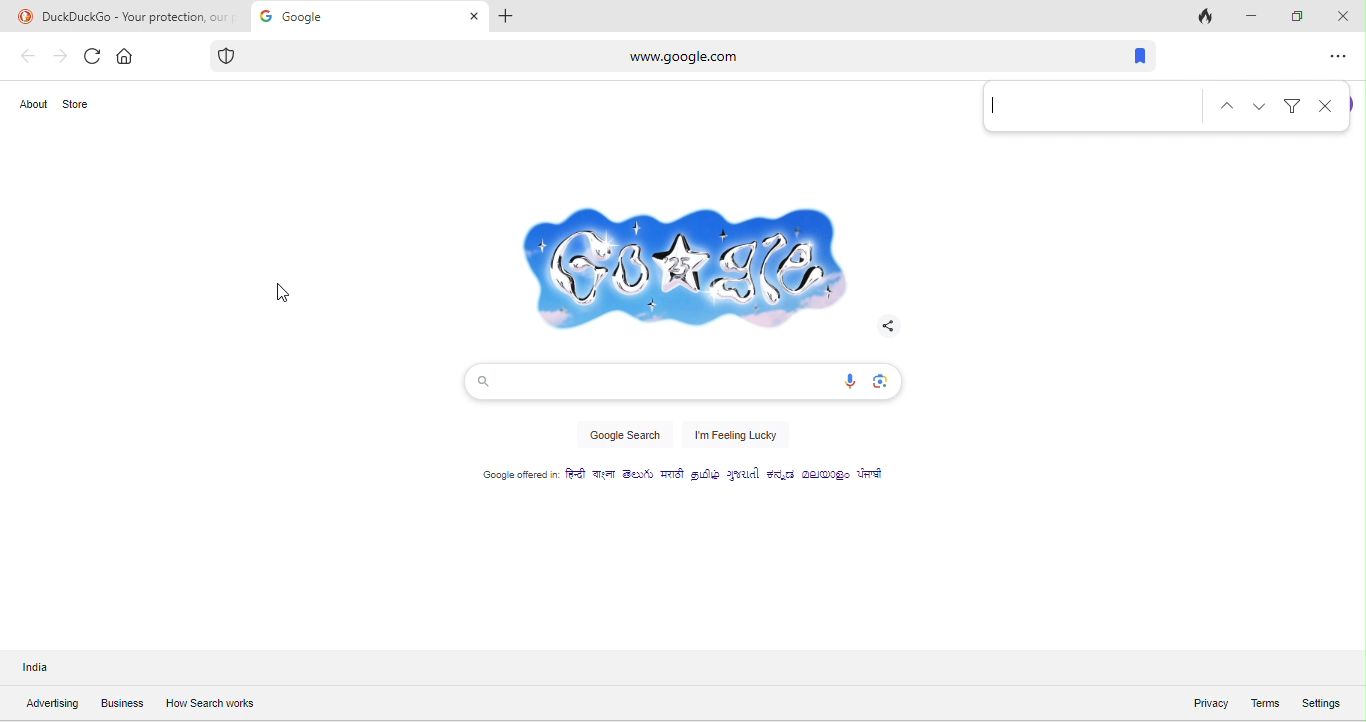 Image resolution: width=1366 pixels, height=722 pixels. Describe the element at coordinates (1264, 702) in the screenshot. I see `terms` at that location.